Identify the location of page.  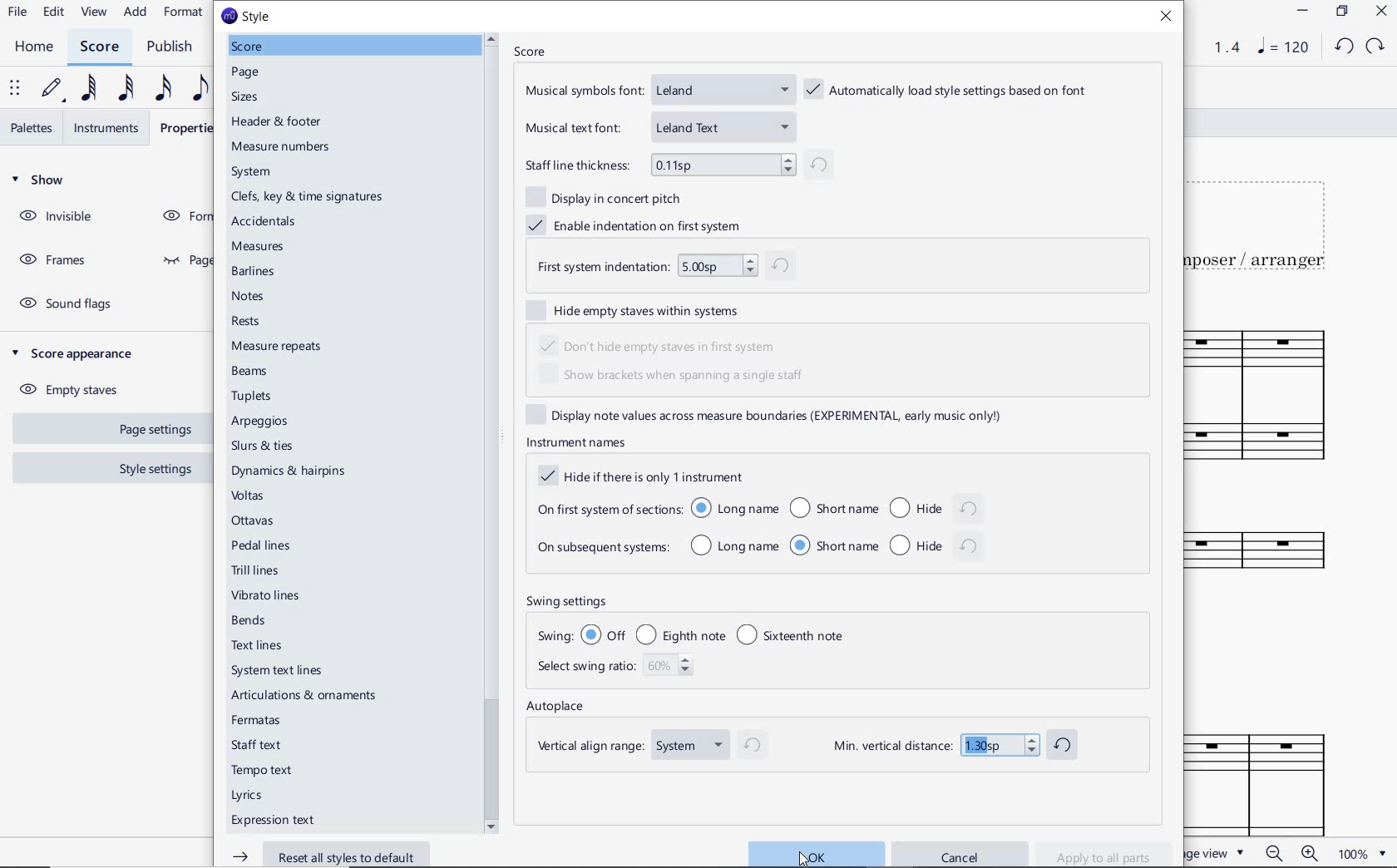
(248, 74).